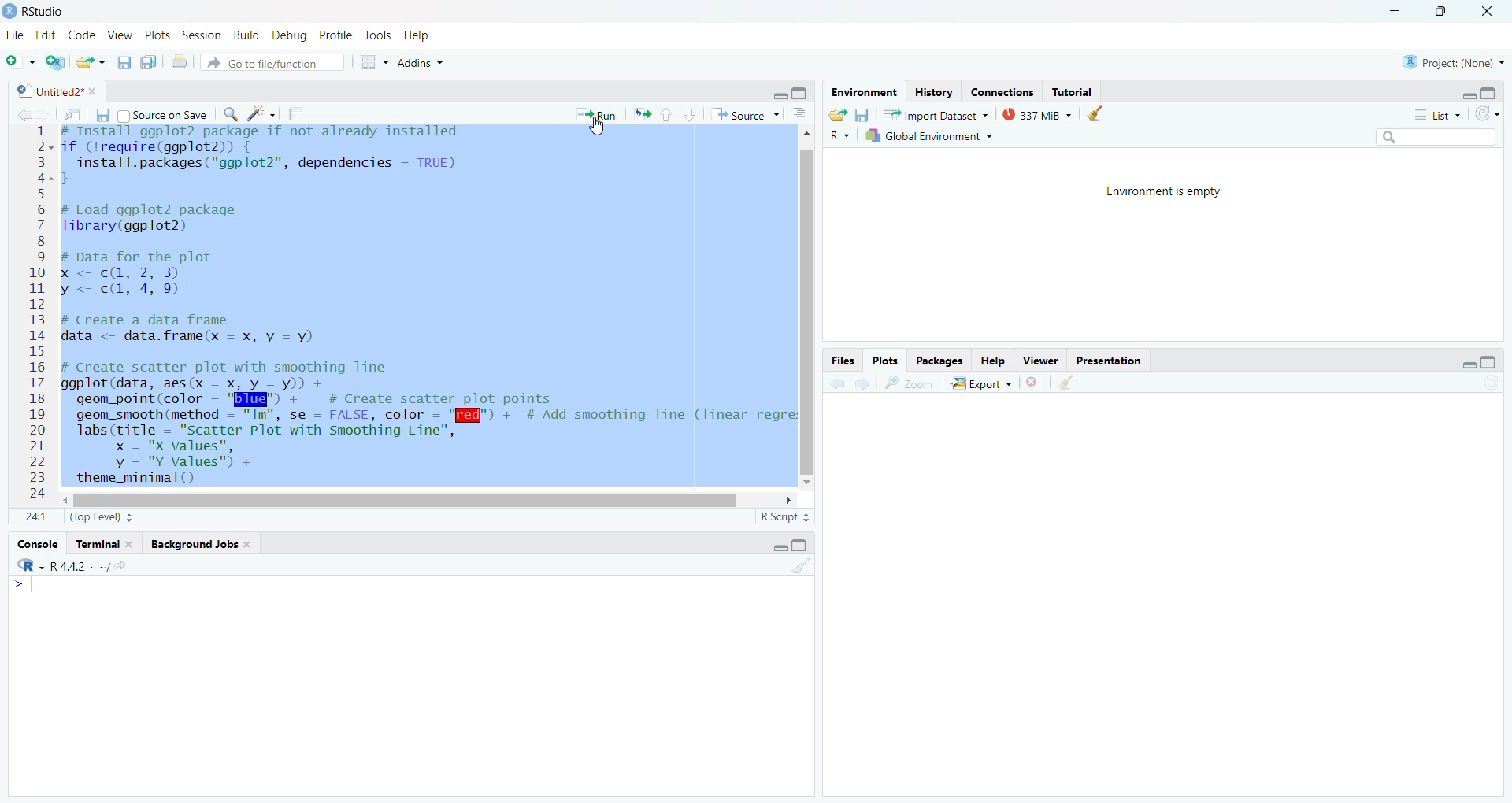 This screenshot has height=803, width=1512. Describe the element at coordinates (45, 36) in the screenshot. I see `Edit` at that location.